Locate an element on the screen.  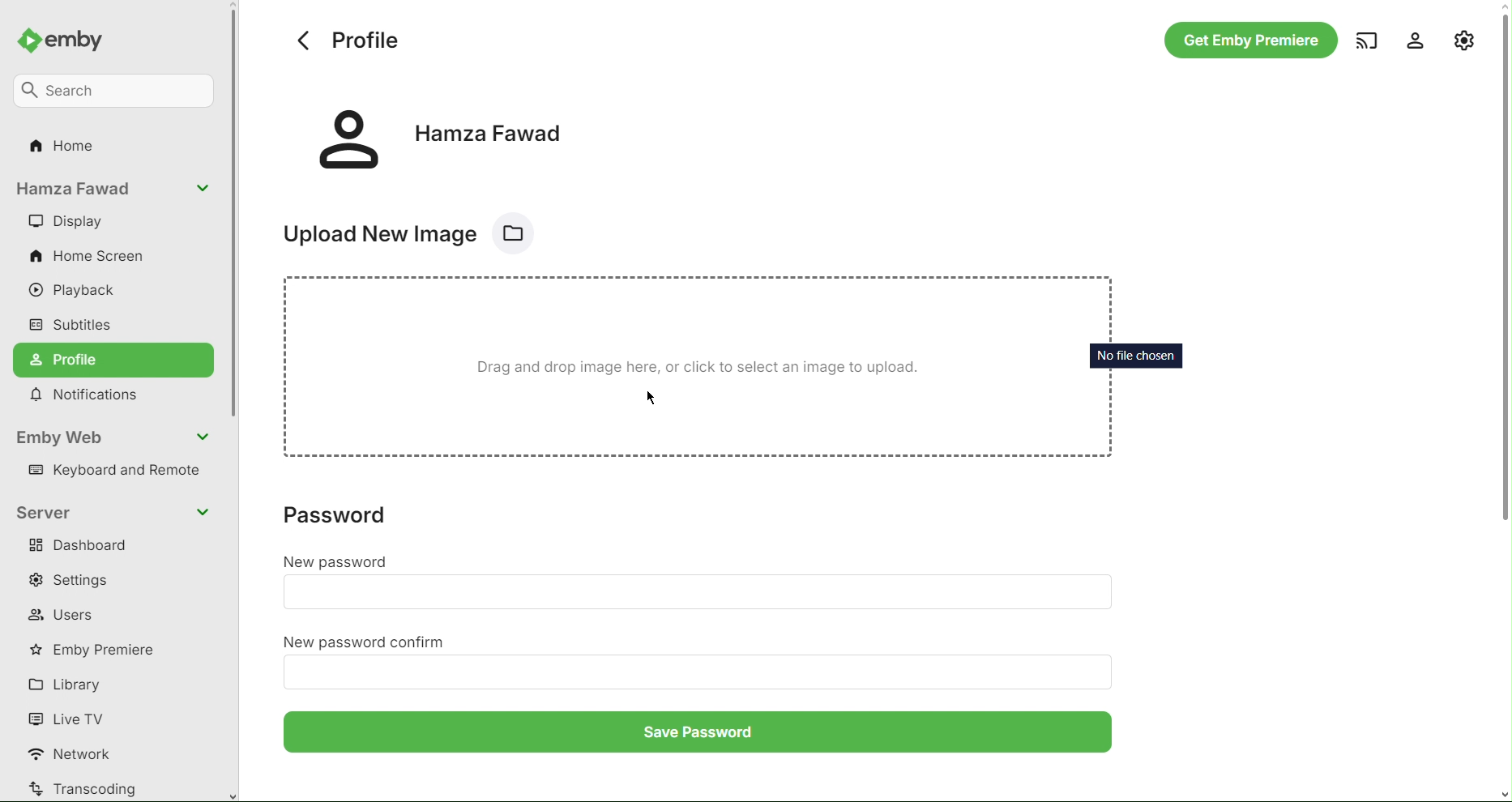
Library is located at coordinates (70, 684).